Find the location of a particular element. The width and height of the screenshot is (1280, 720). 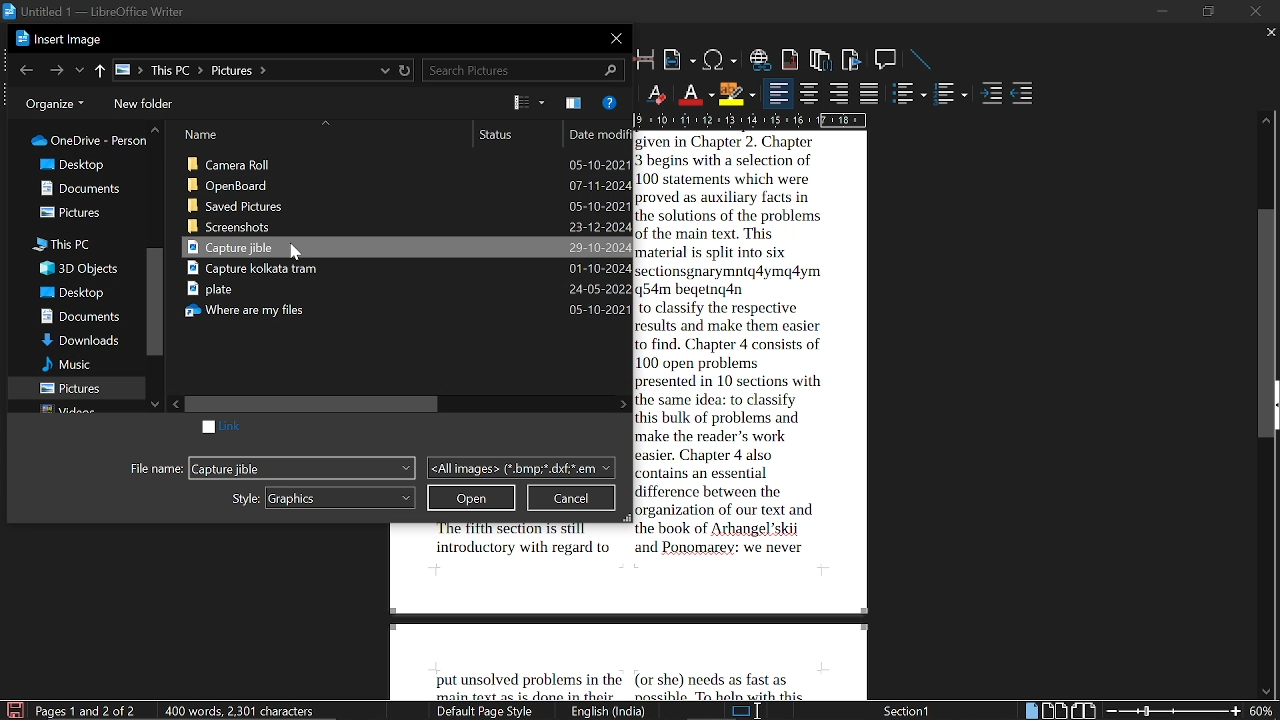

name is located at coordinates (318, 135).